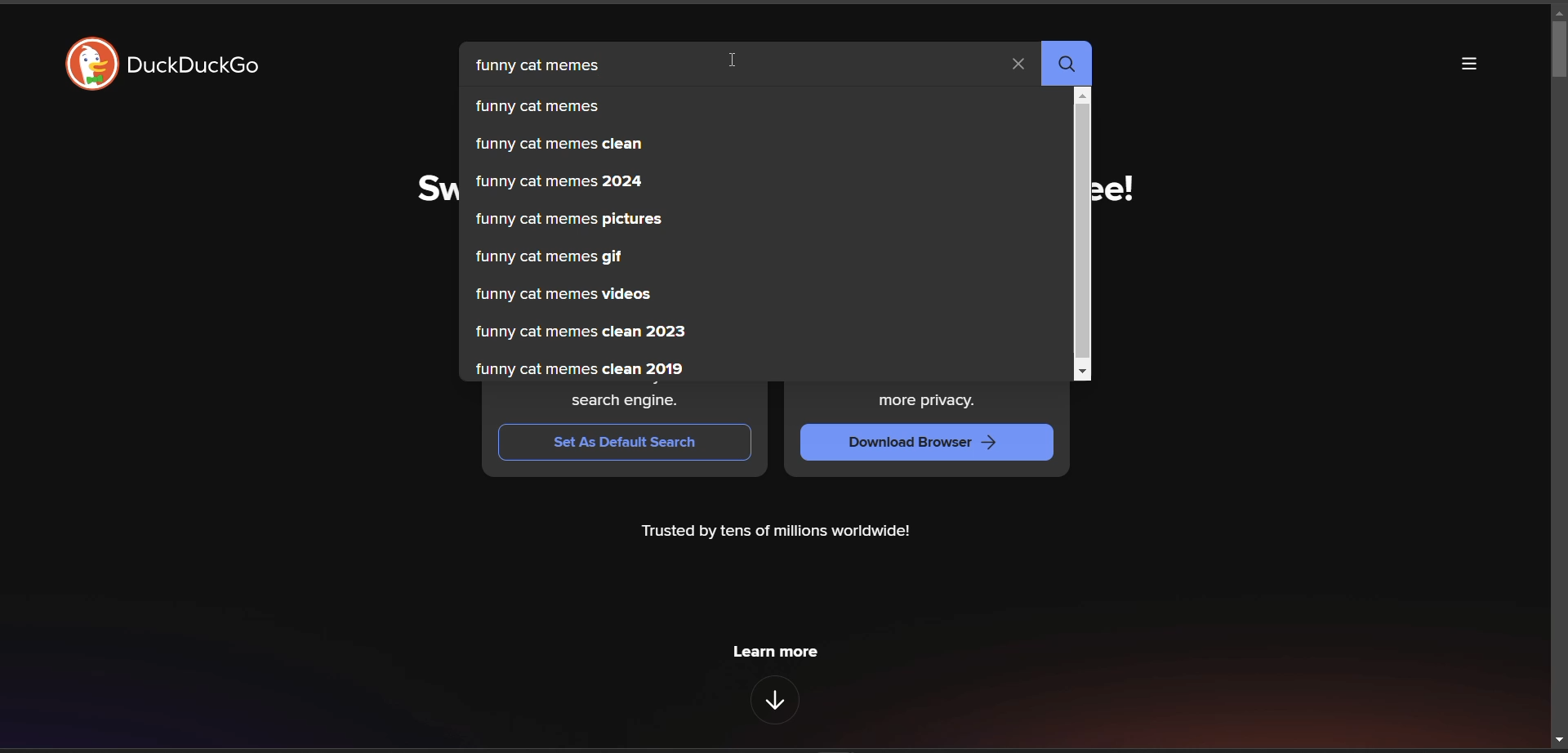 The image size is (1568, 753). I want to click on funny cat memes, so click(540, 67).